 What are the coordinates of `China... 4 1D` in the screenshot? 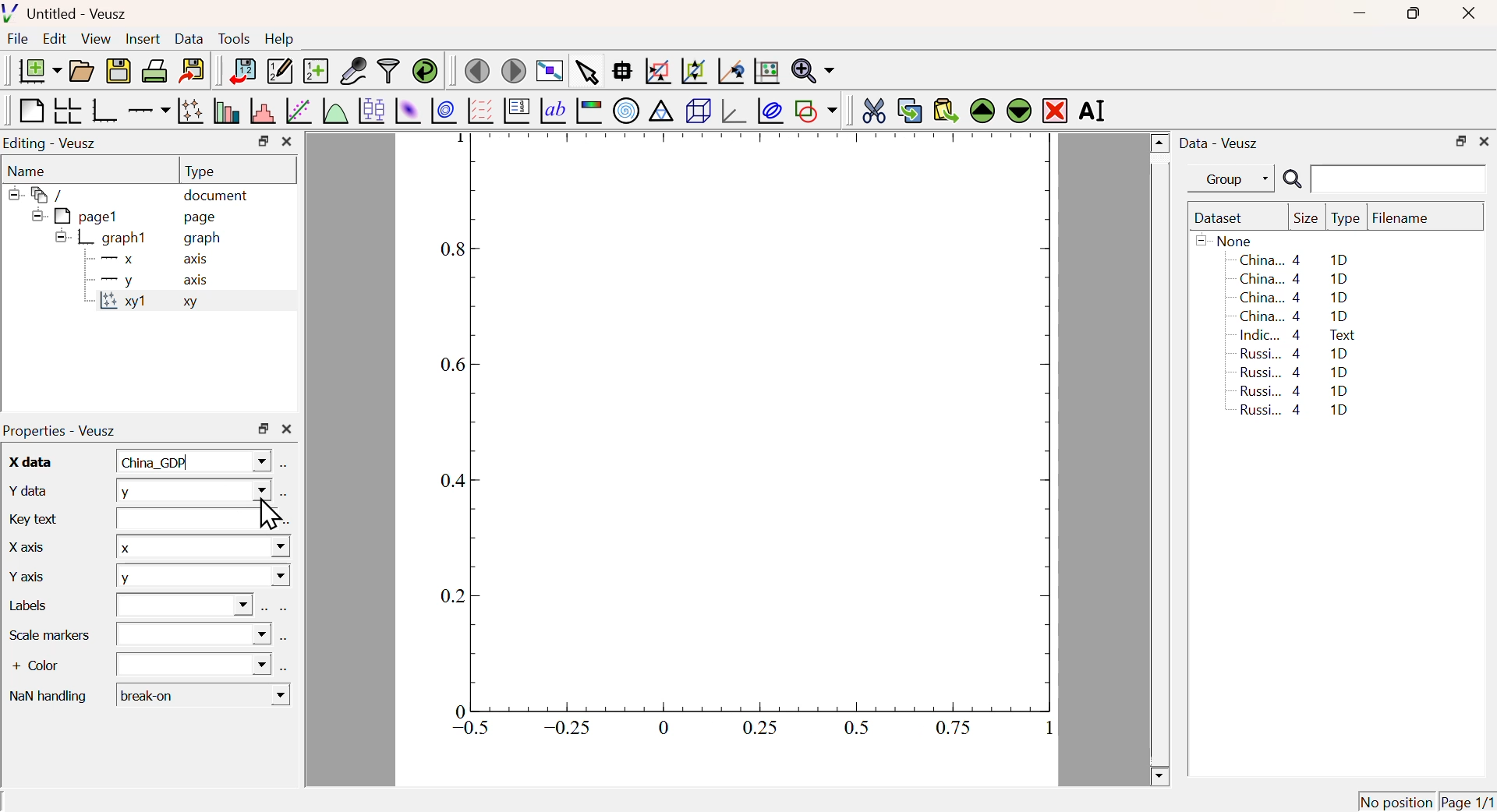 It's located at (1294, 316).